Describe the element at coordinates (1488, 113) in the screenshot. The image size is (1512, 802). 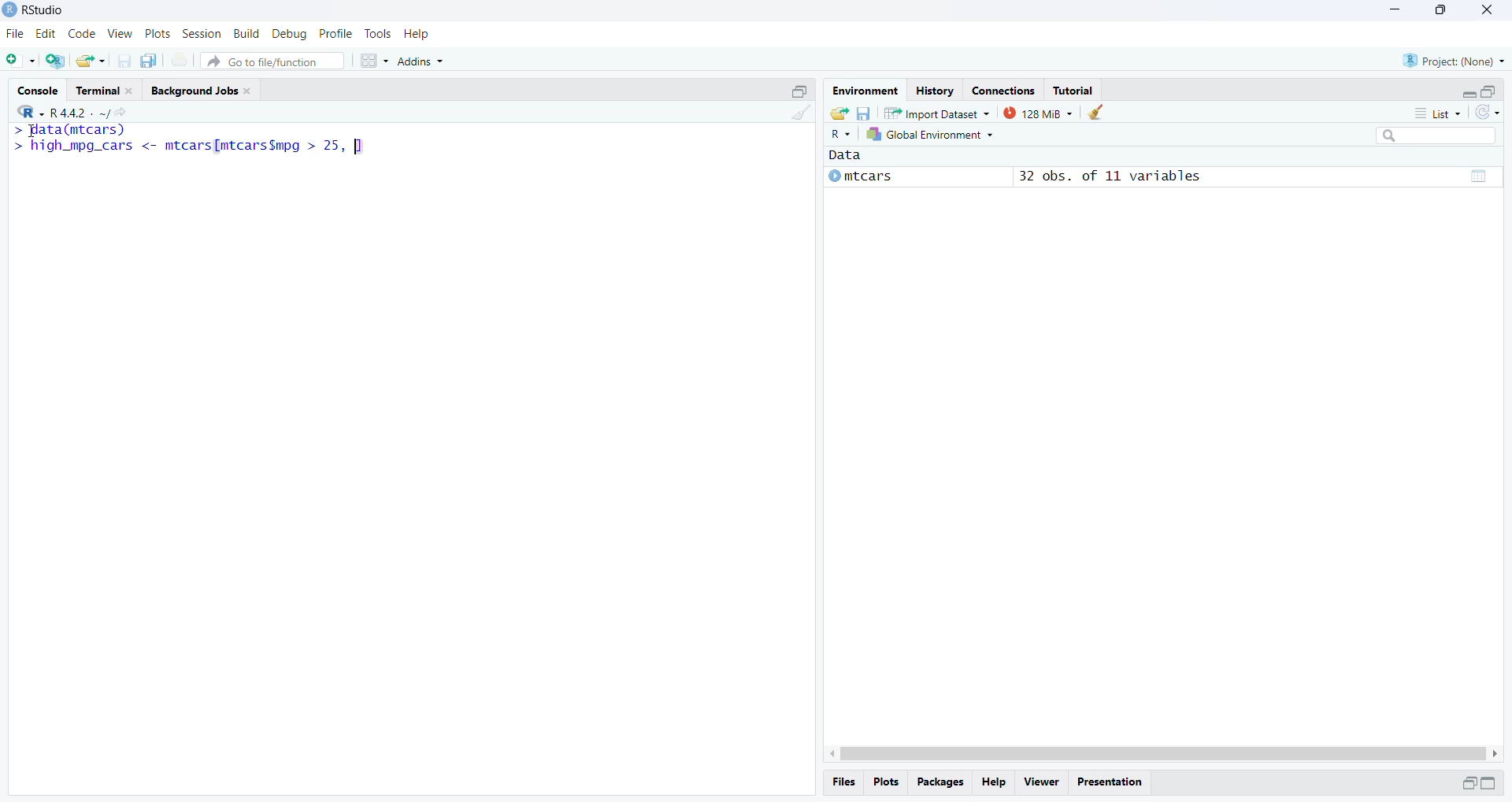
I see `refresh` at that location.